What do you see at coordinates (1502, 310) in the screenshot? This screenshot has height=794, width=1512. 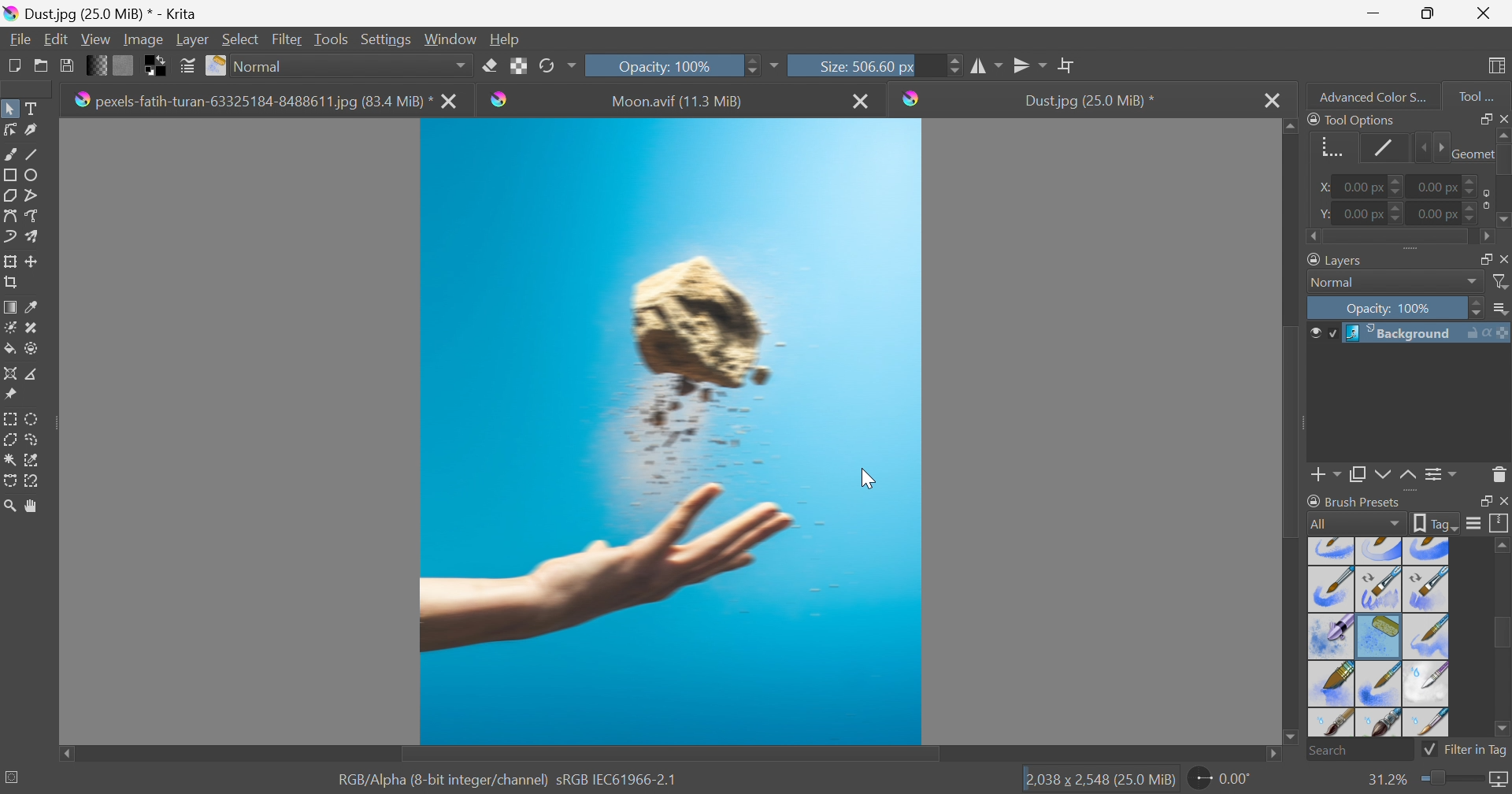 I see `Drop Down` at bounding box center [1502, 310].